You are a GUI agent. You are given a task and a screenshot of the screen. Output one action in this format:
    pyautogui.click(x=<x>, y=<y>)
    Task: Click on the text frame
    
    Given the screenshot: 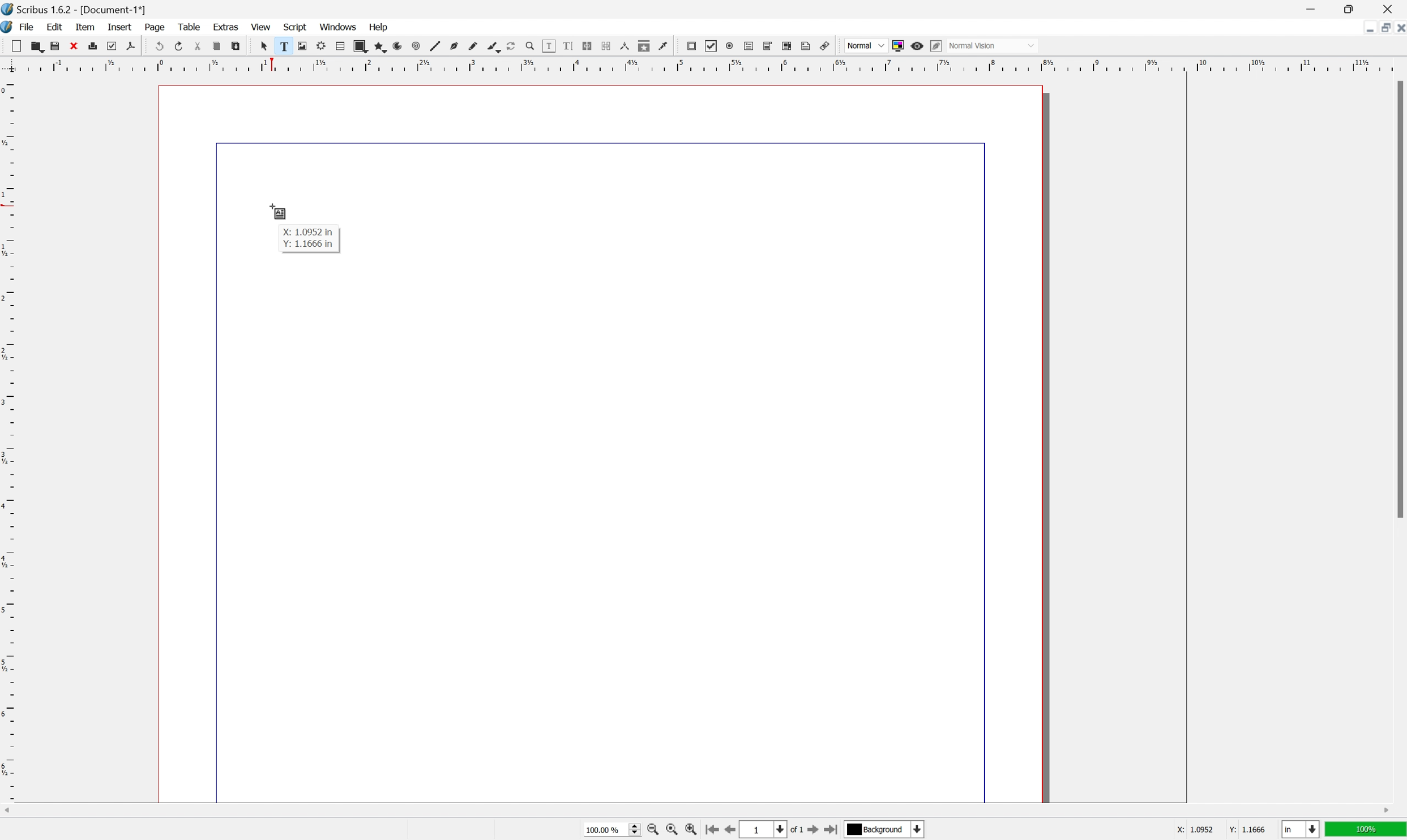 What is the action you would take?
    pyautogui.click(x=282, y=46)
    